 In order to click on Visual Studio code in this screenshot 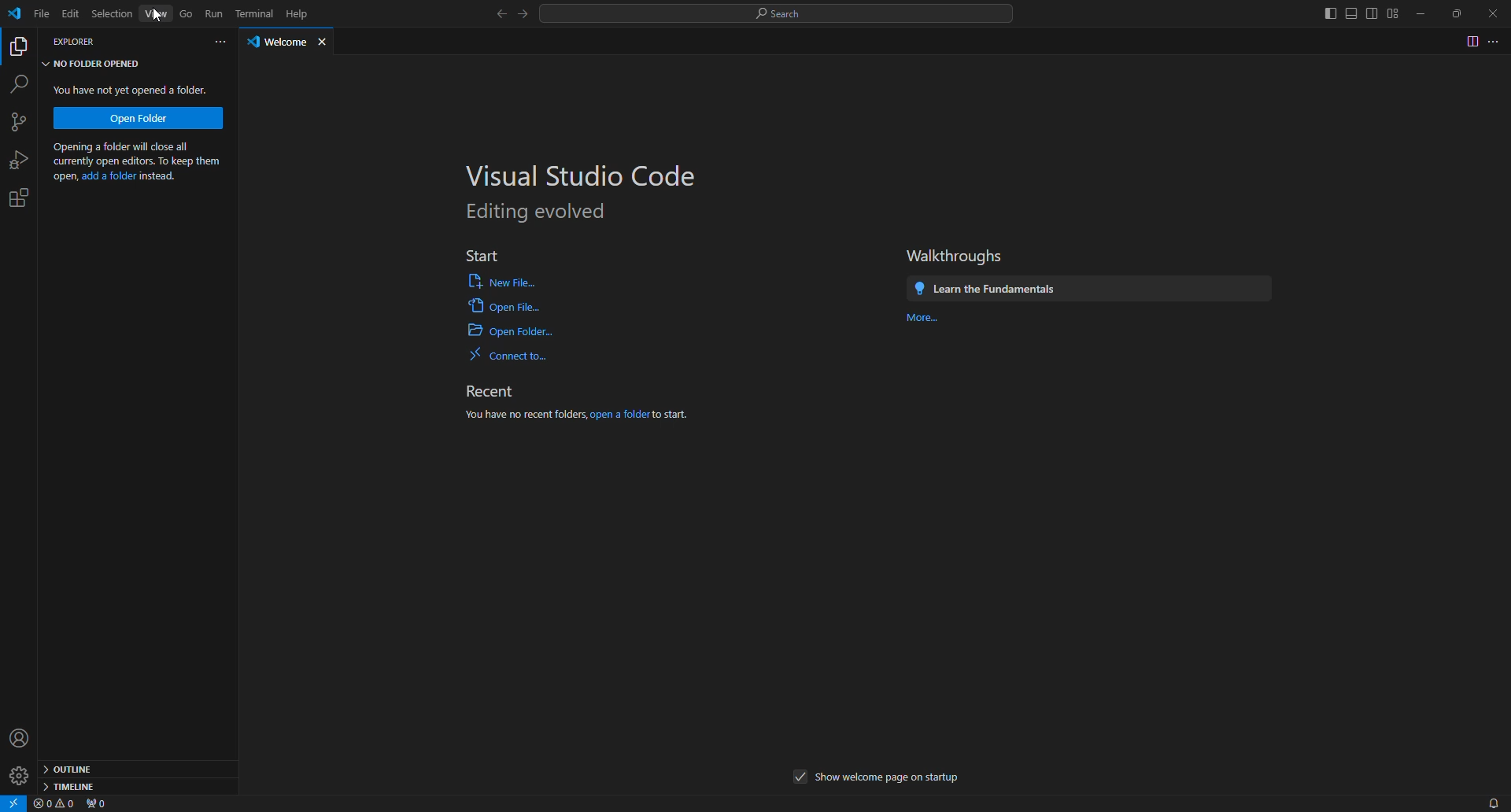, I will do `click(573, 172)`.